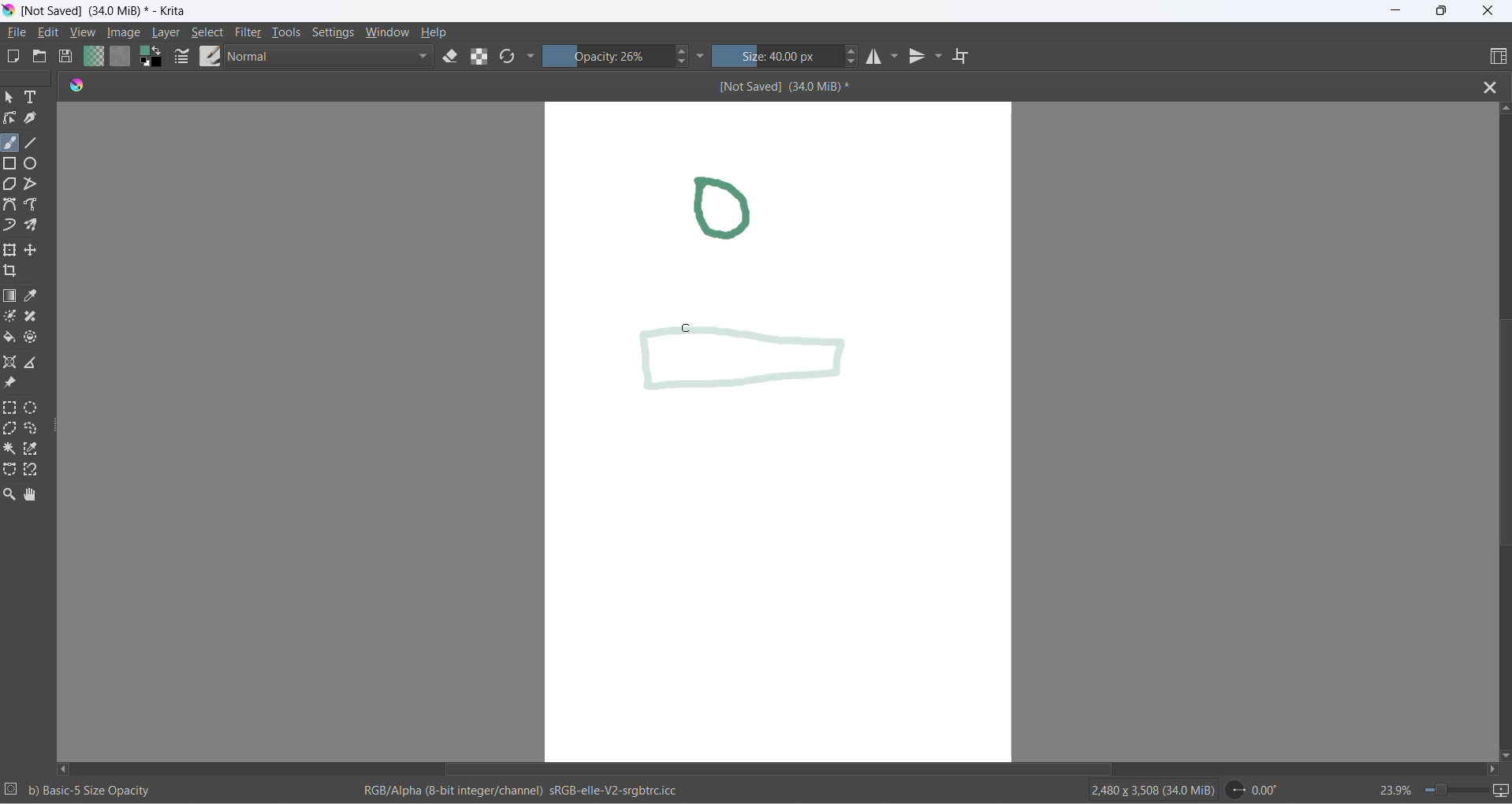 The width and height of the screenshot is (1512, 804). Describe the element at coordinates (35, 184) in the screenshot. I see `polyline tool` at that location.